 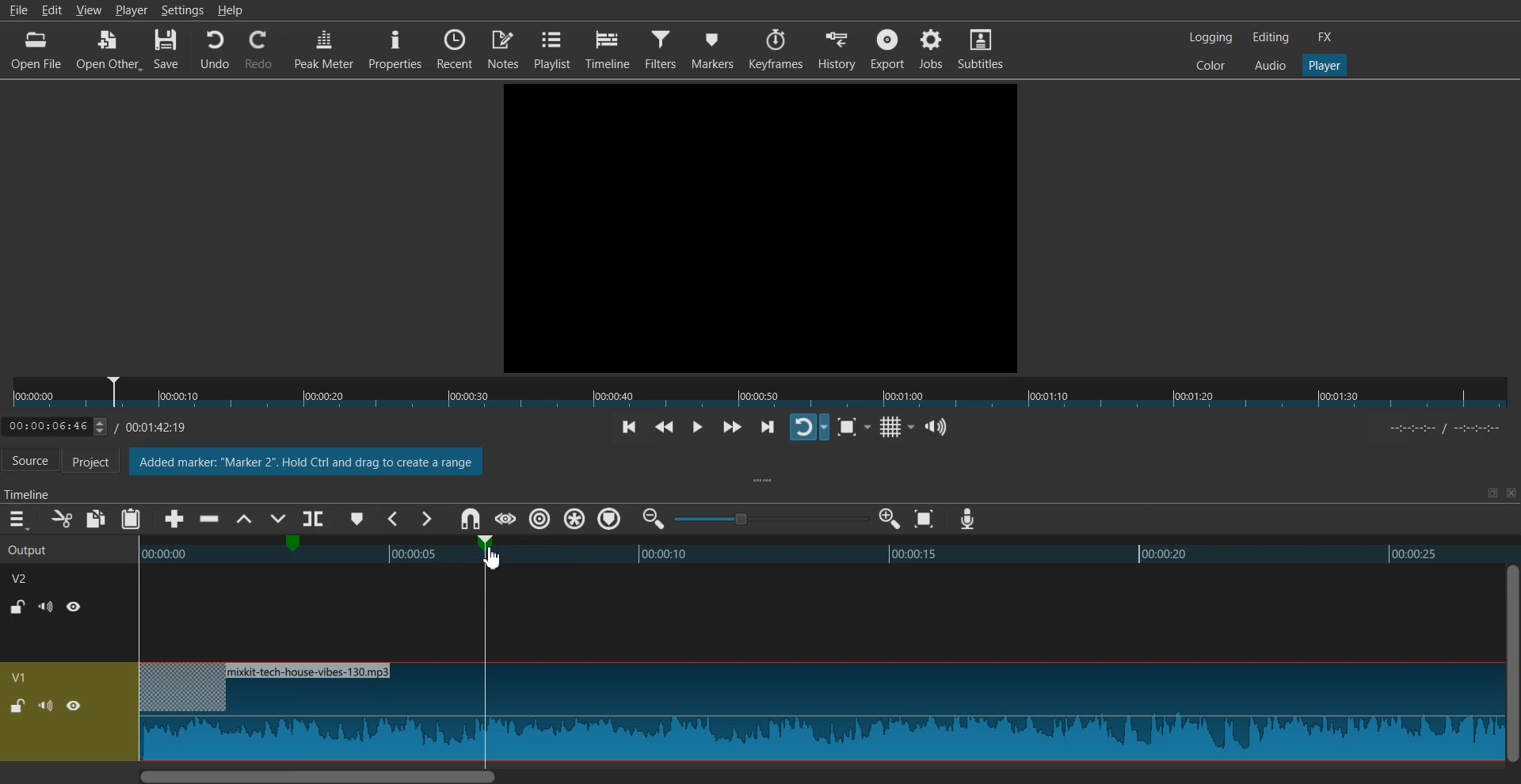 I want to click on Audio waveform, so click(x=819, y=713).